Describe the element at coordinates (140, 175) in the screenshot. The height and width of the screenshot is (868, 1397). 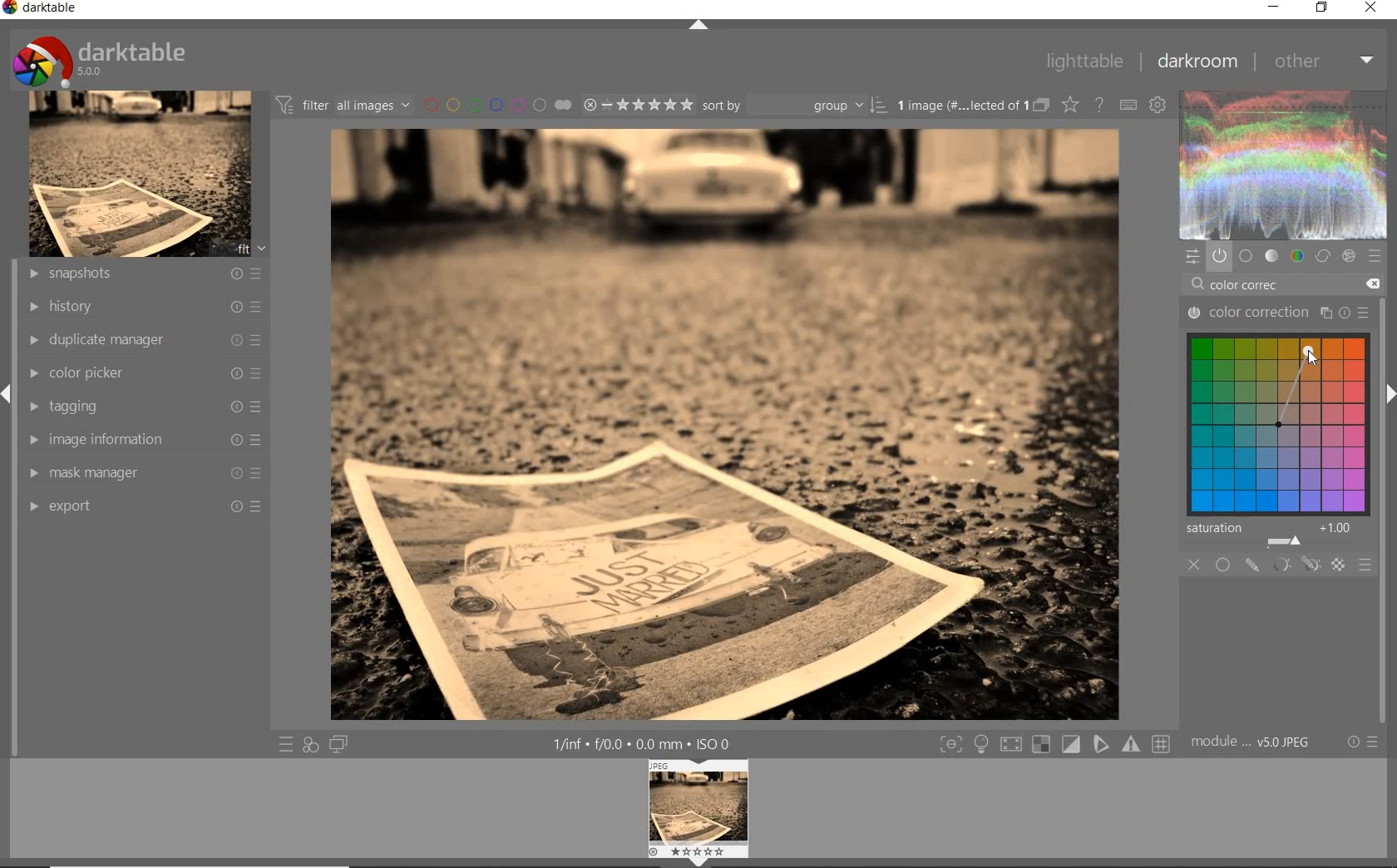
I see `image` at that location.